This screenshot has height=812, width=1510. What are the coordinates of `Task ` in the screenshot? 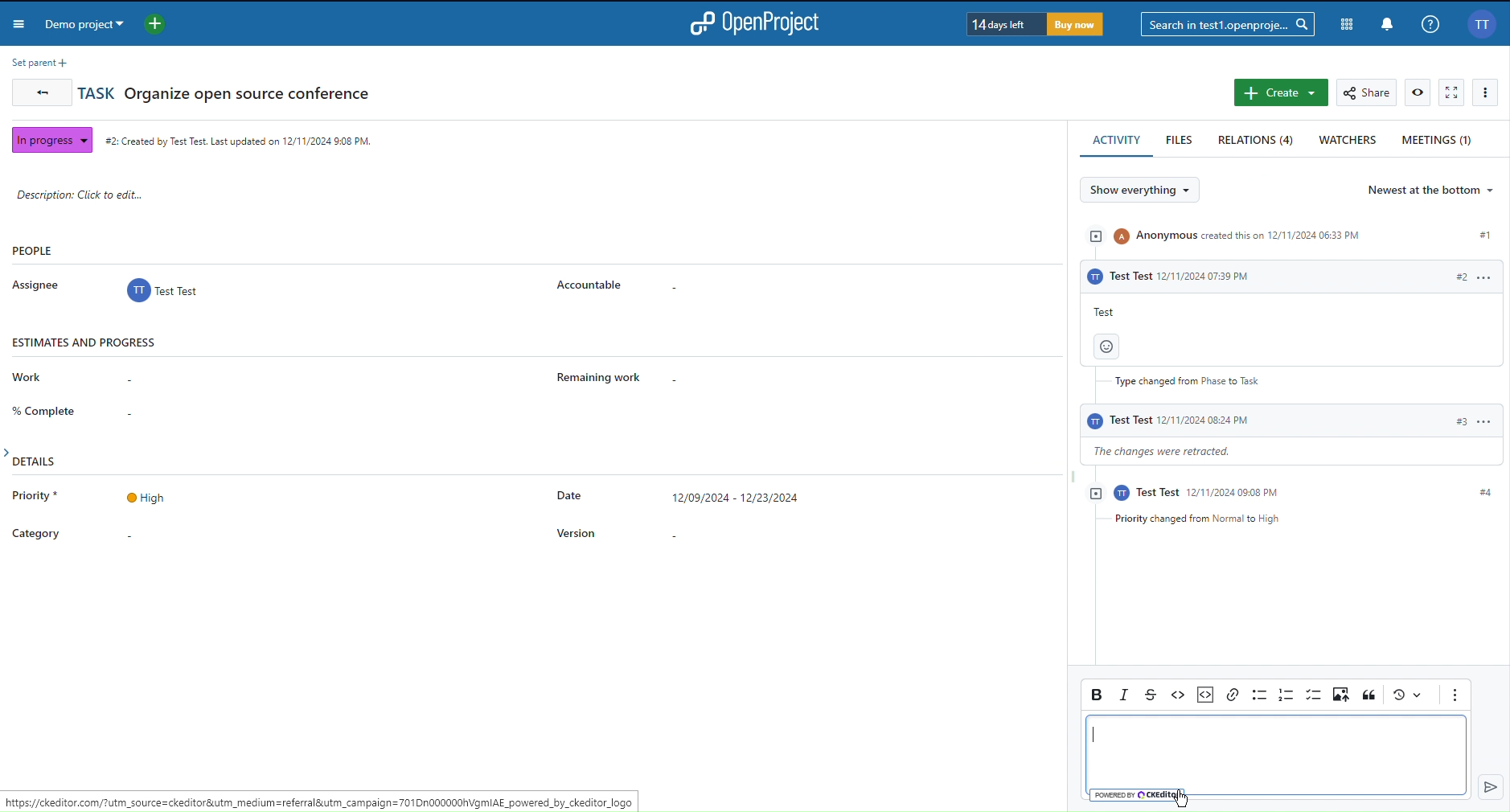 It's located at (227, 92).